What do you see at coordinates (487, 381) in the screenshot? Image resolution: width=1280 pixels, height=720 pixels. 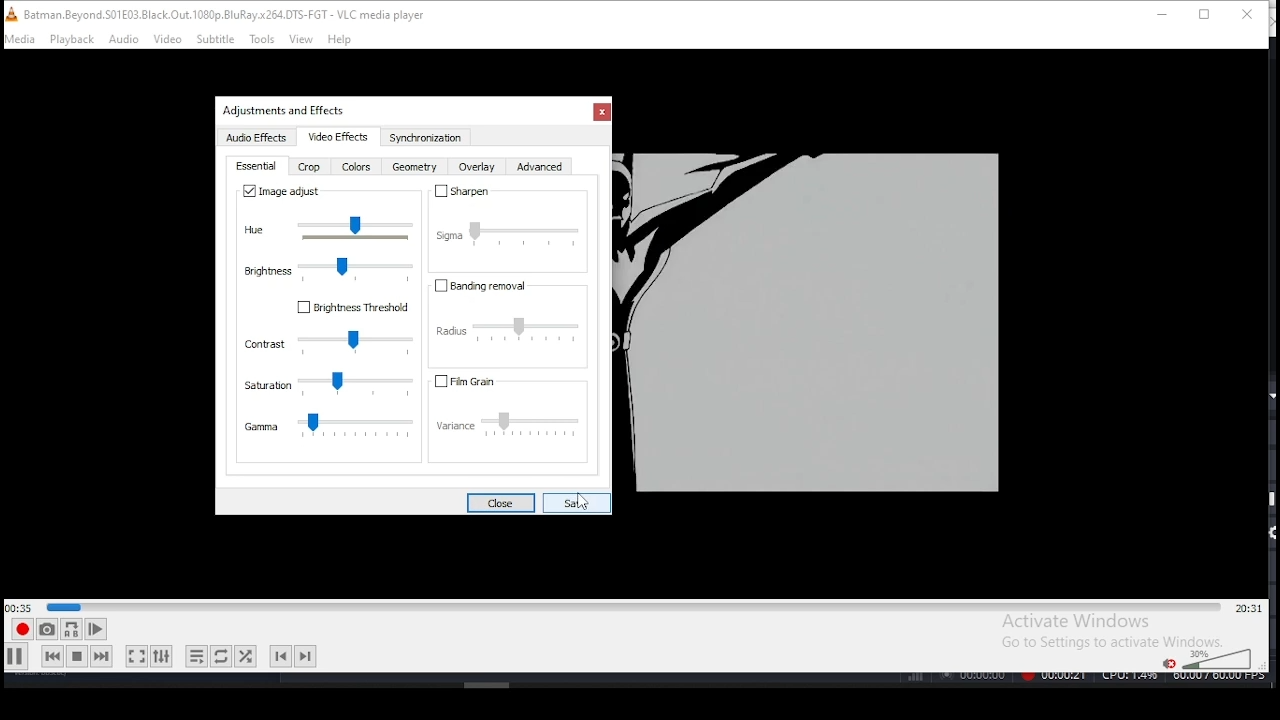 I see `fil grain on/off` at bounding box center [487, 381].